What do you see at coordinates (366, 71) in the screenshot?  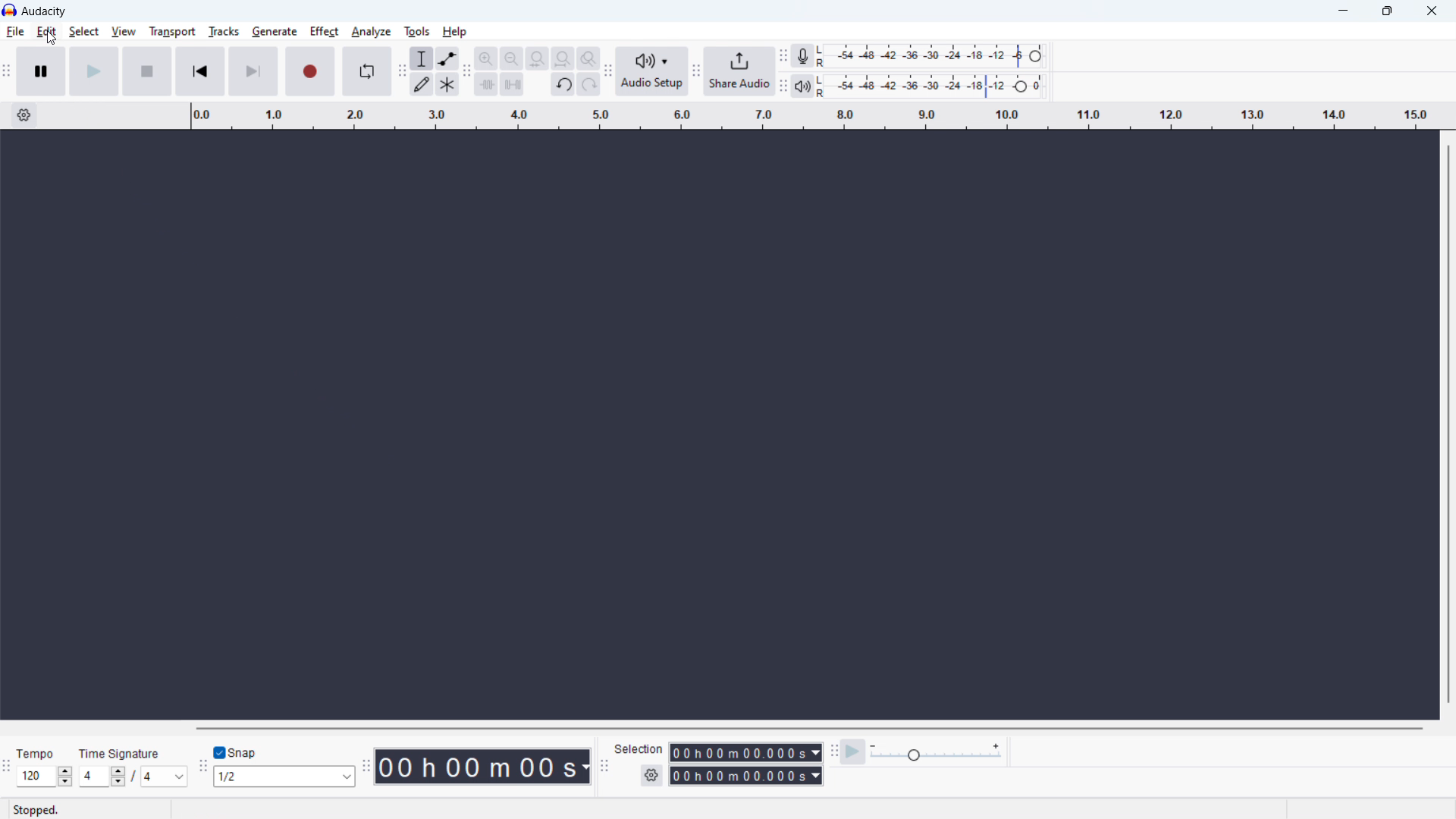 I see `enable loop` at bounding box center [366, 71].